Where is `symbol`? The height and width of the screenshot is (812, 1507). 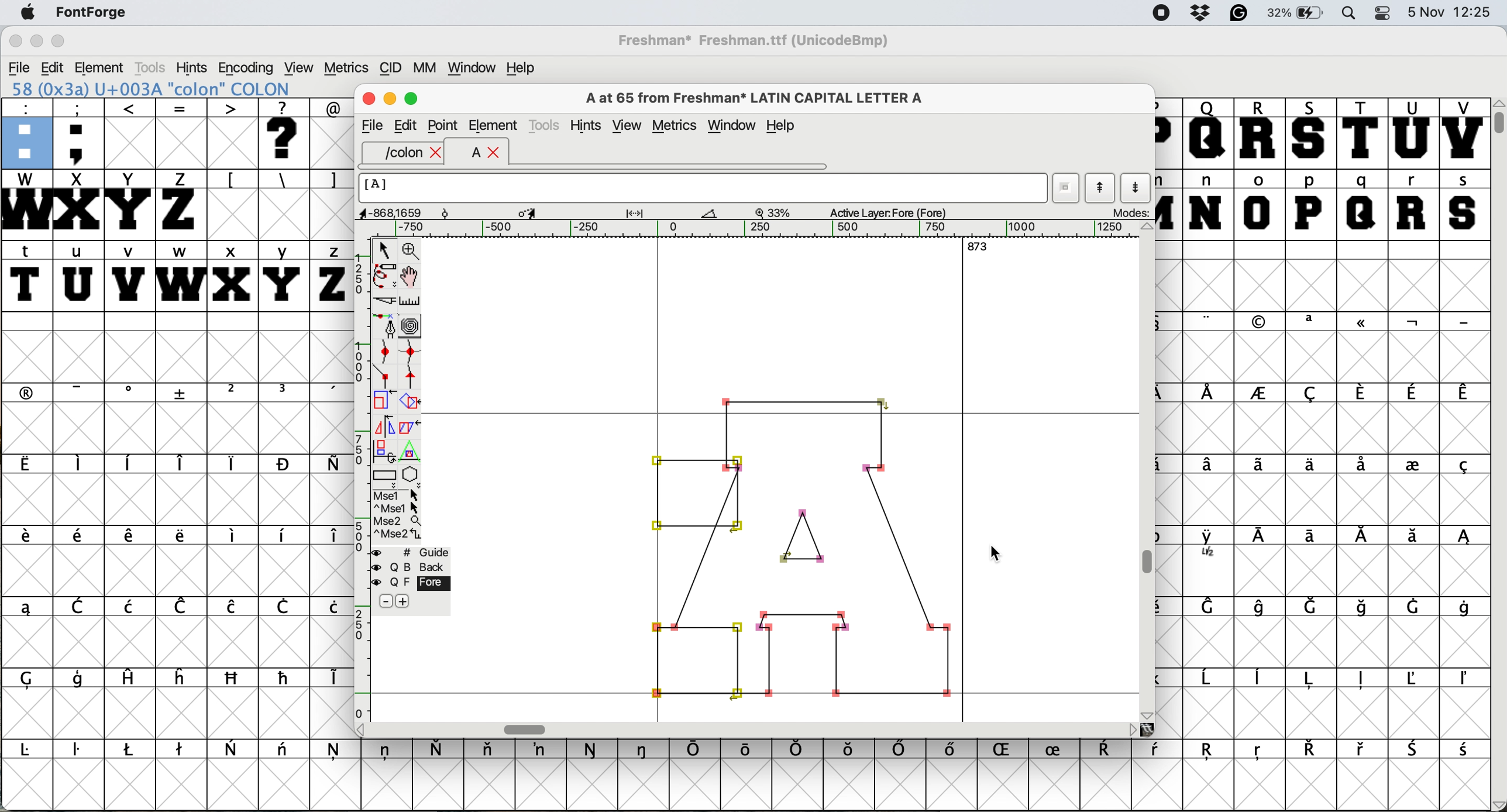
symbol is located at coordinates (80, 681).